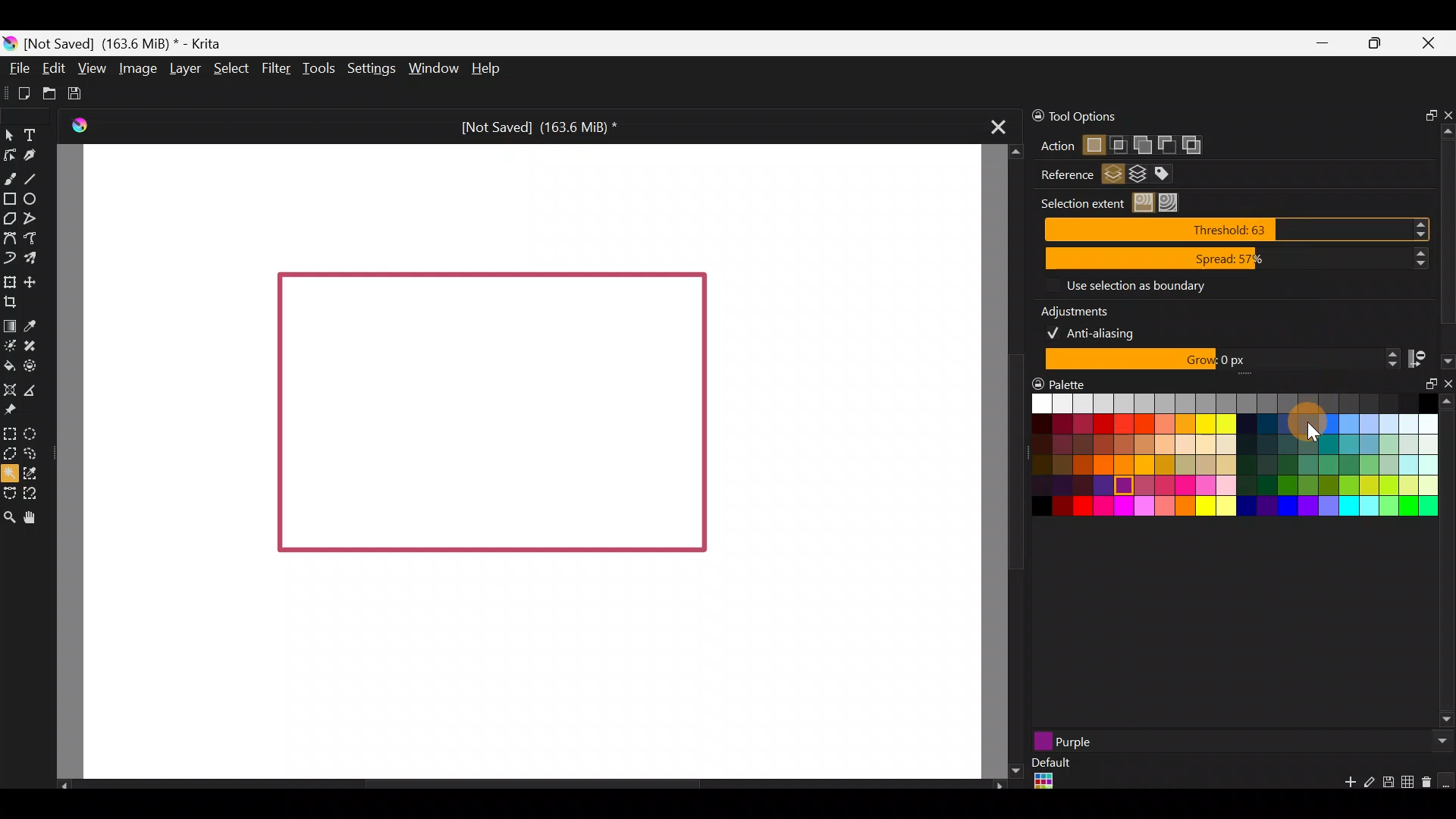 The image size is (1456, 819). I want to click on Edit, so click(53, 69).